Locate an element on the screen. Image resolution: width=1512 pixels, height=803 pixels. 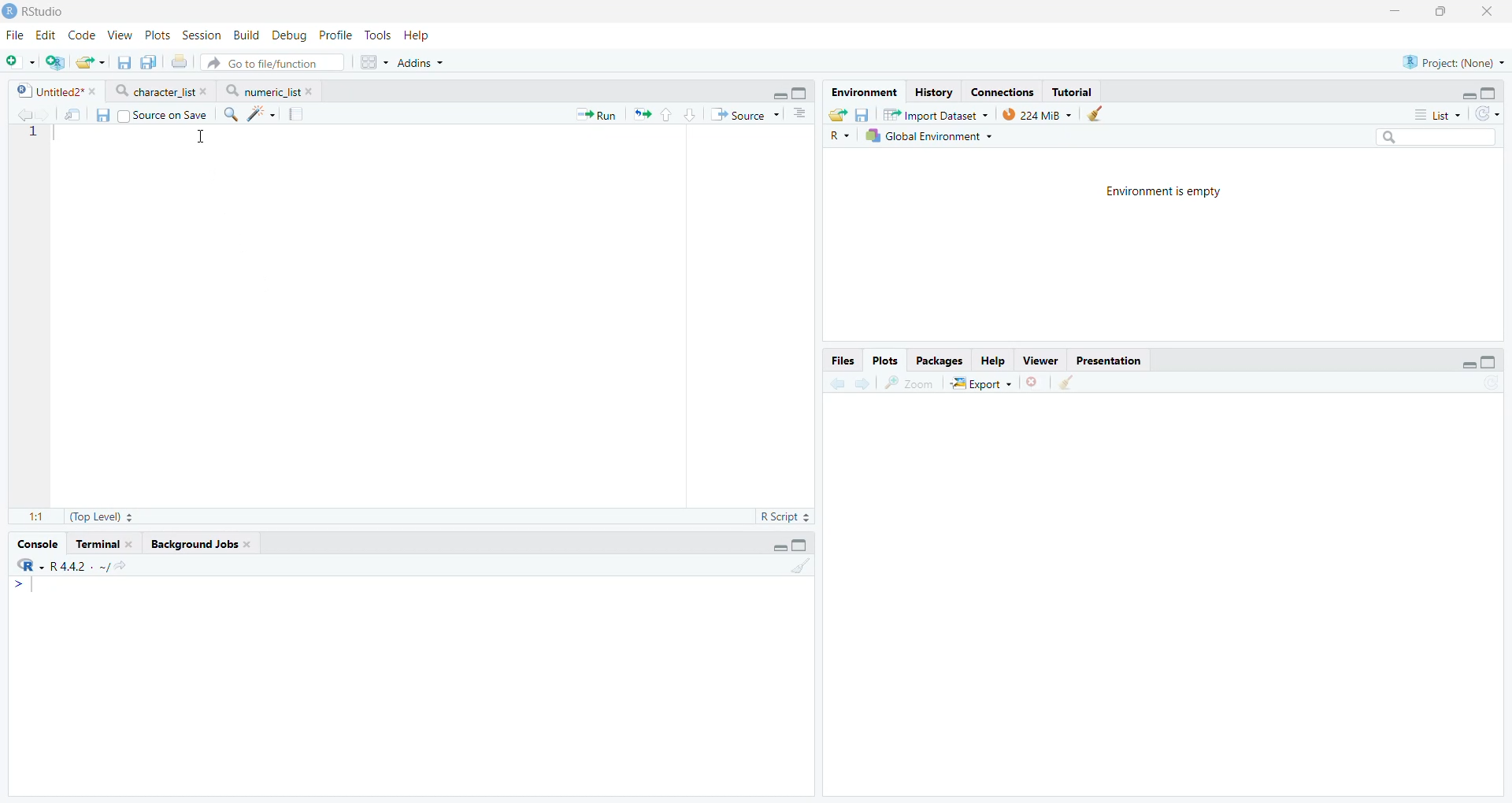
Packages is located at coordinates (941, 360).